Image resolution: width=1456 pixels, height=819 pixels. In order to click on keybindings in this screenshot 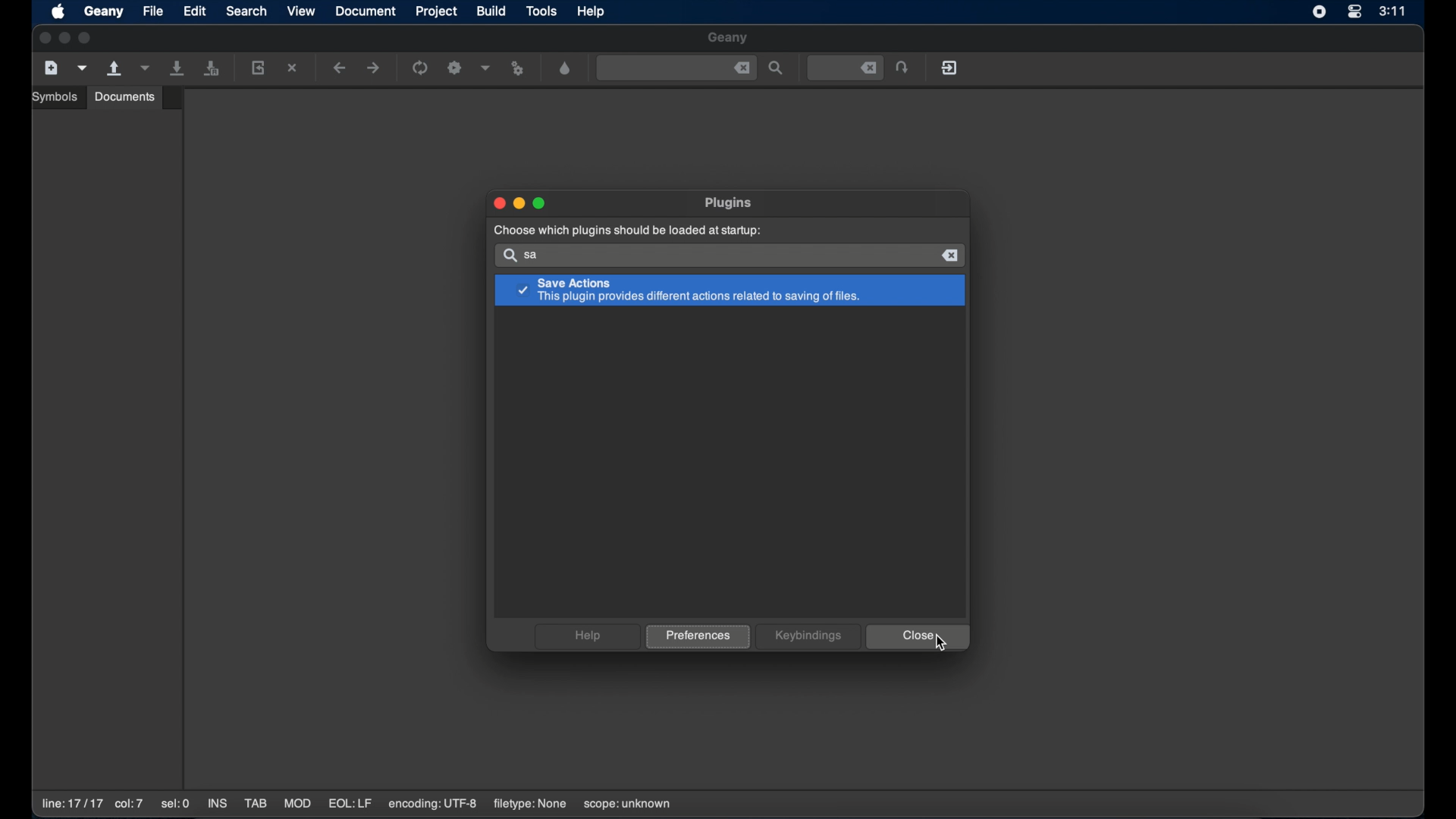, I will do `click(808, 636)`.